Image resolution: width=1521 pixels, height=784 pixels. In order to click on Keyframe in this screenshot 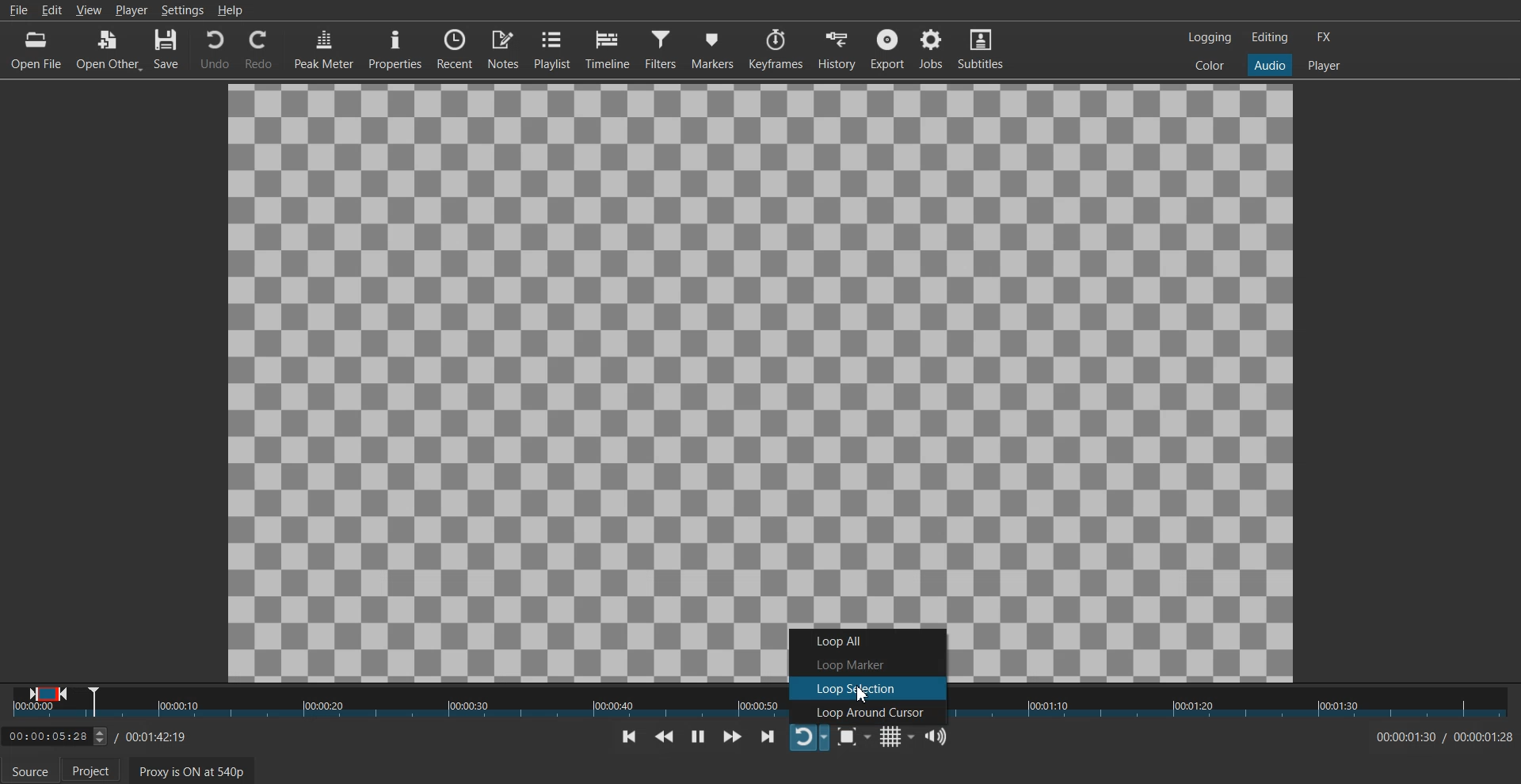, I will do `click(776, 49)`.